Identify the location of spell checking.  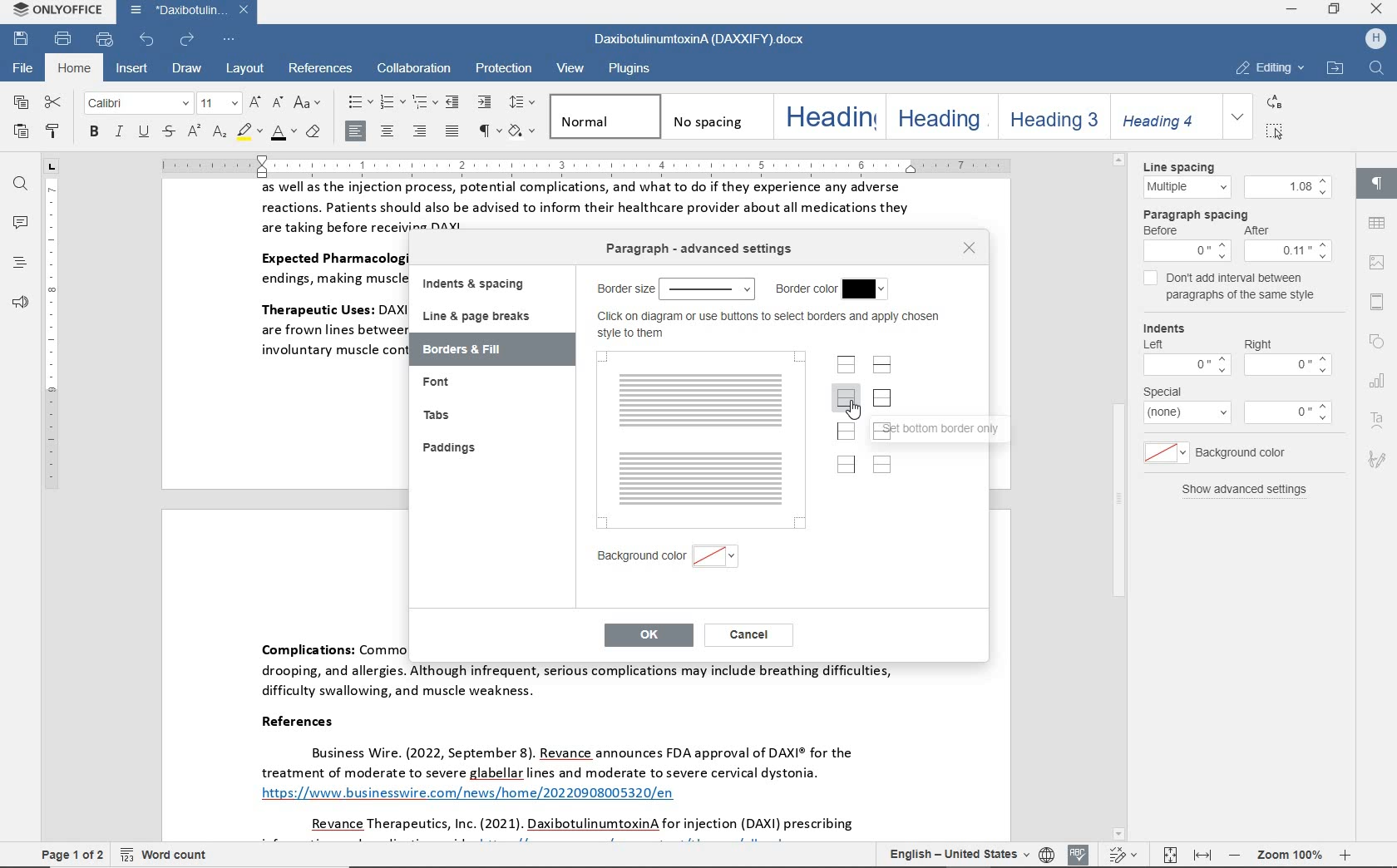
(1079, 855).